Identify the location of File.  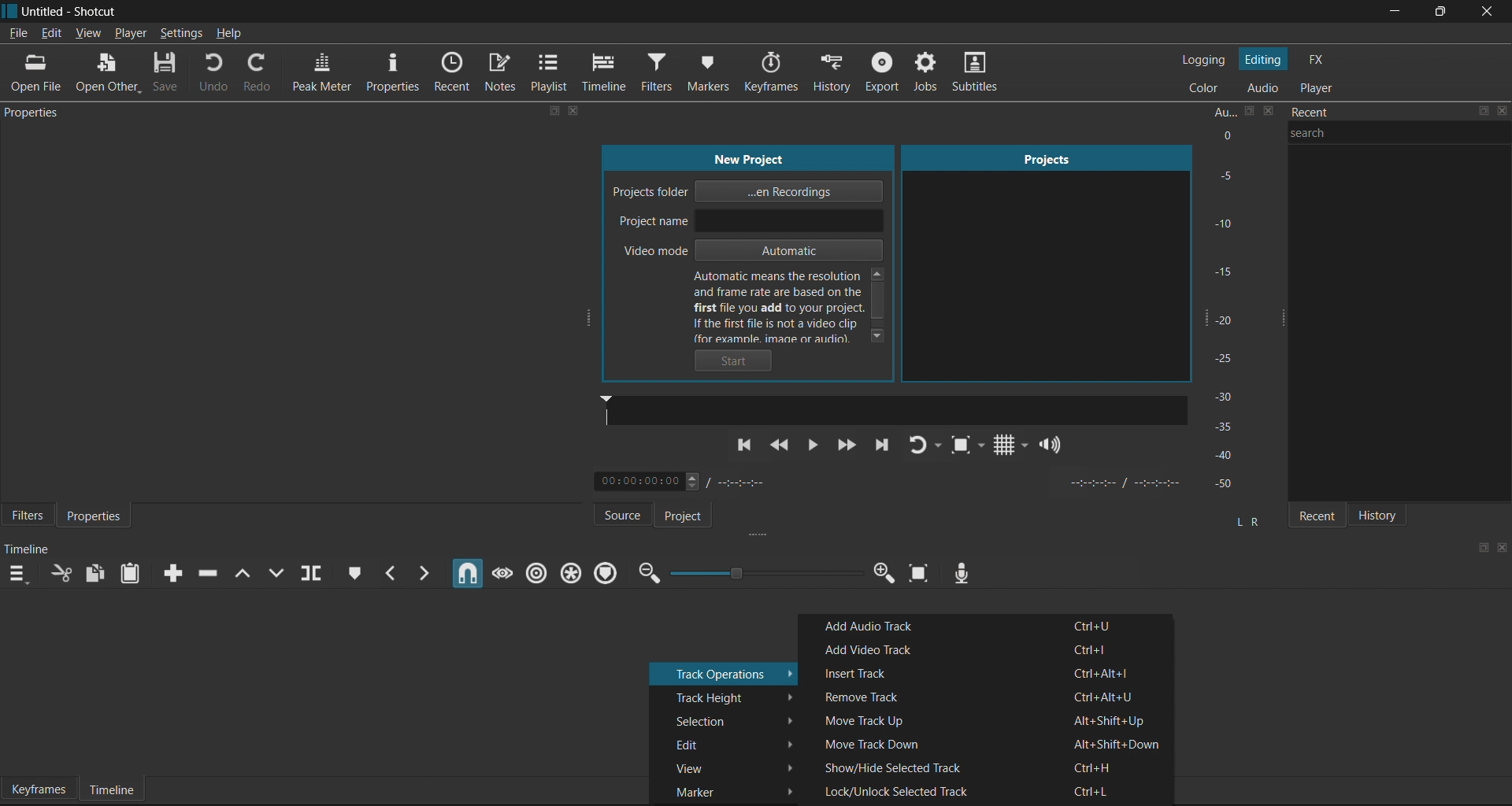
(18, 34).